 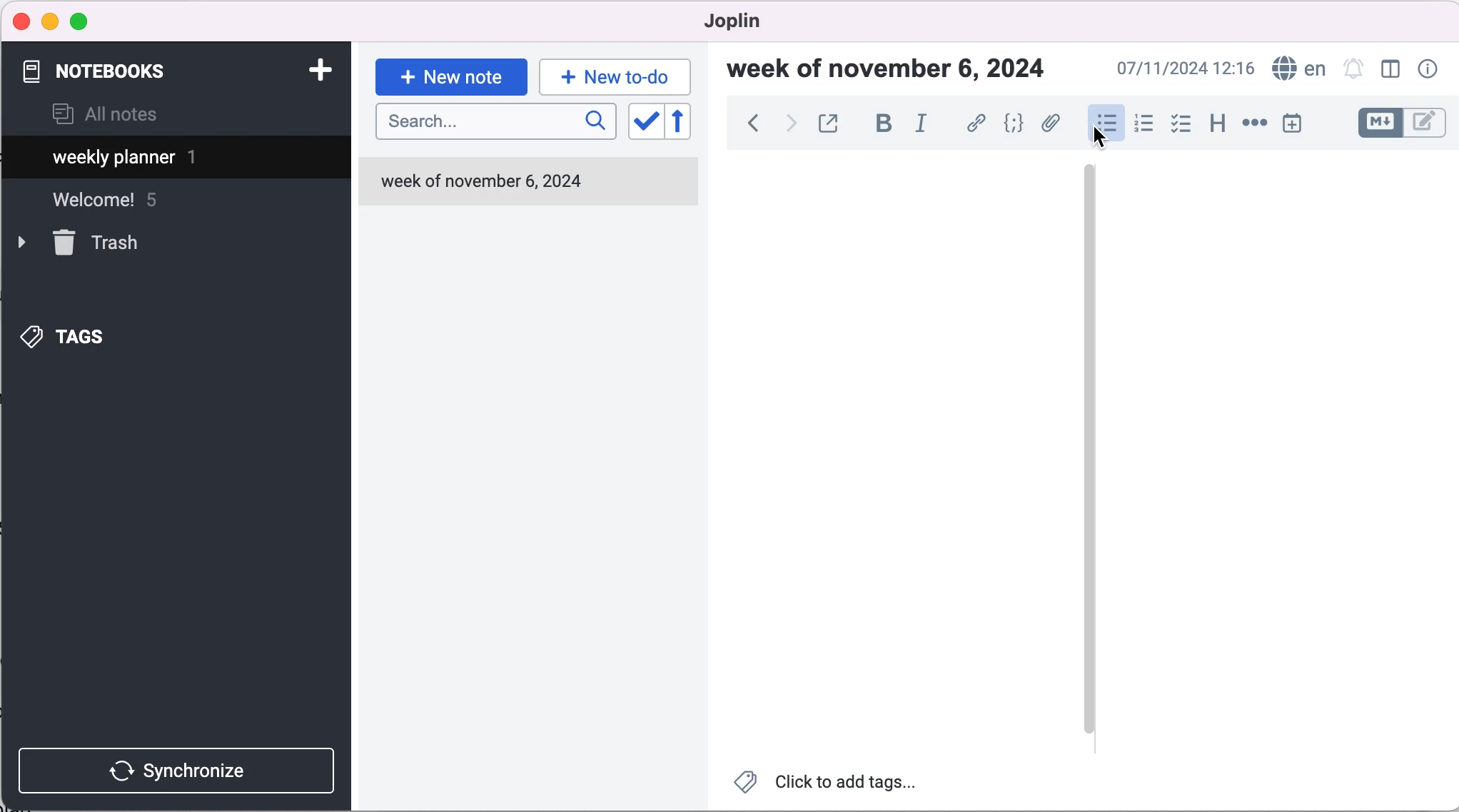 What do you see at coordinates (894, 71) in the screenshot?
I see `week of november 6, 2024` at bounding box center [894, 71].